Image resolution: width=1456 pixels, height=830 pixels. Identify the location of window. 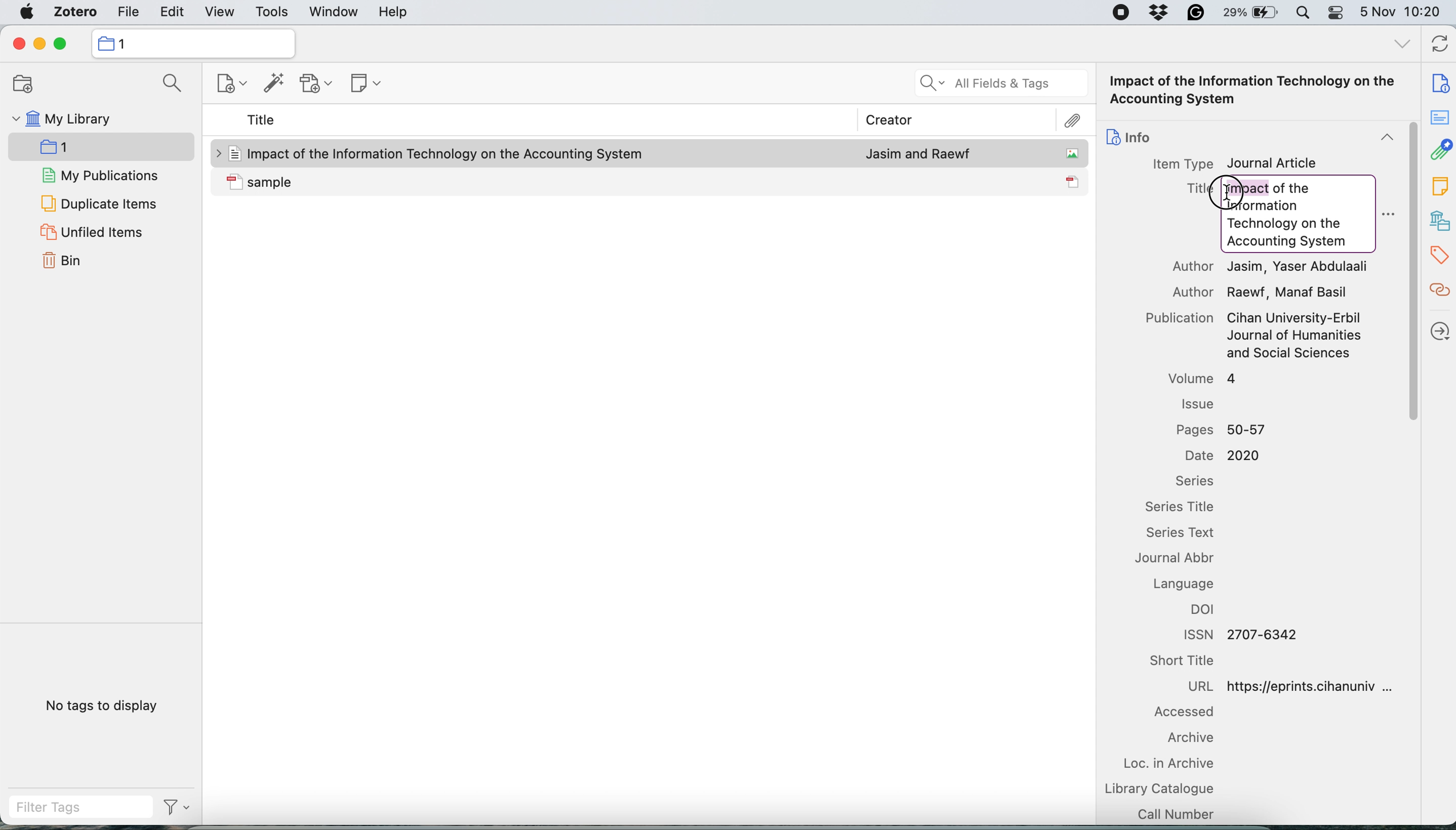
(334, 12).